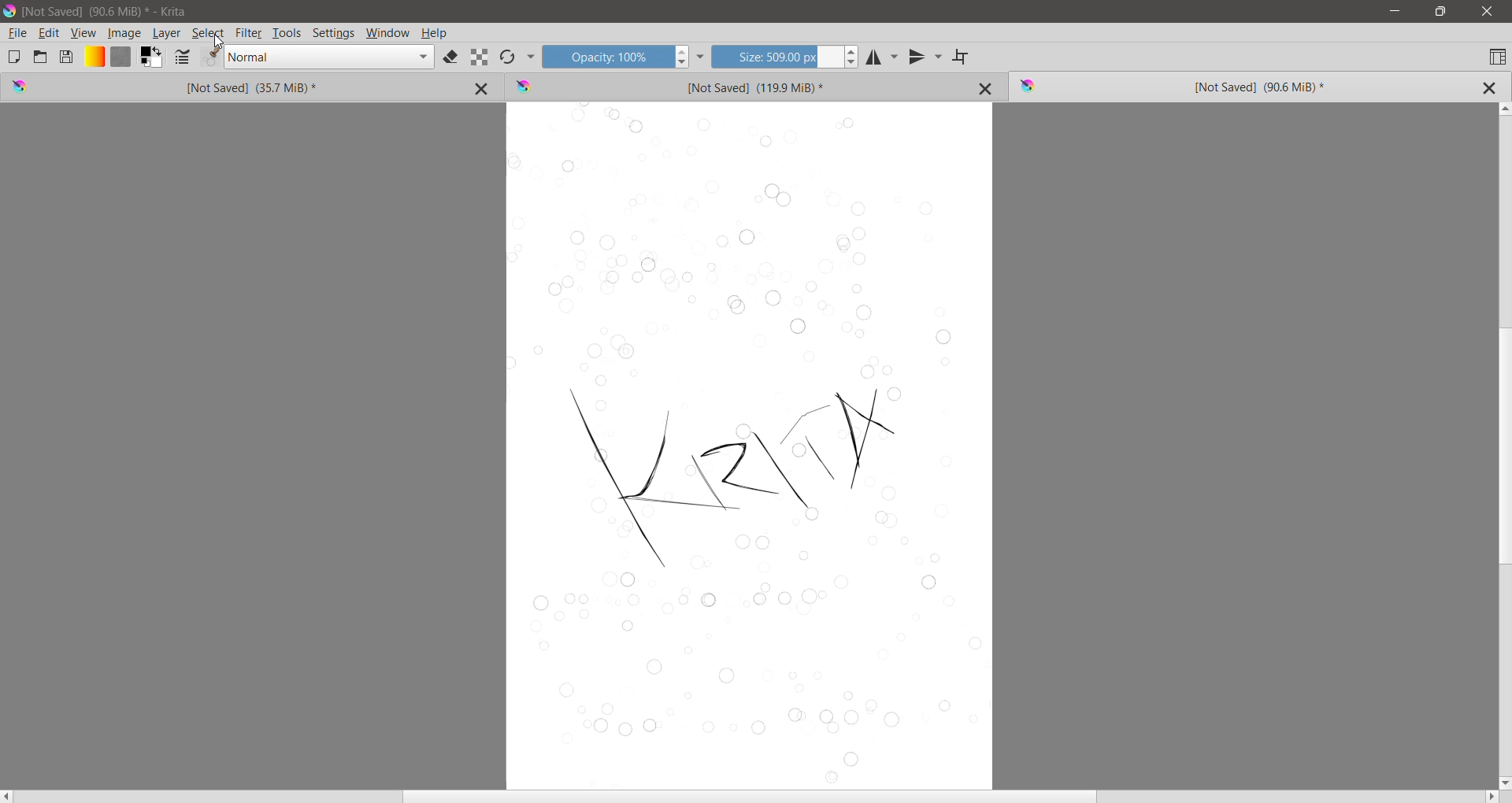 The height and width of the screenshot is (803, 1512). Describe the element at coordinates (1488, 88) in the screenshot. I see `Close Tab` at that location.